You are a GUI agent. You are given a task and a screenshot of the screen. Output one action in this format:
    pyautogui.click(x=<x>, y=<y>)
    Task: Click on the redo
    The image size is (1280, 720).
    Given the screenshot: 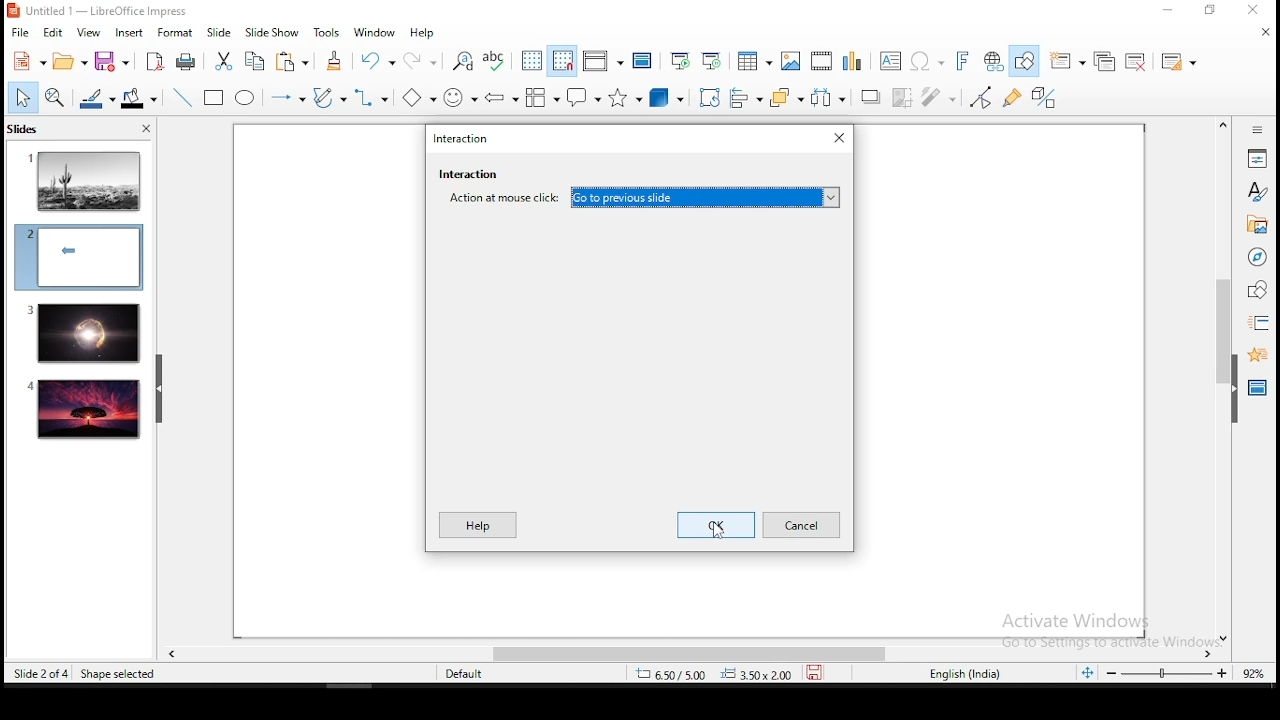 What is the action you would take?
    pyautogui.click(x=423, y=58)
    